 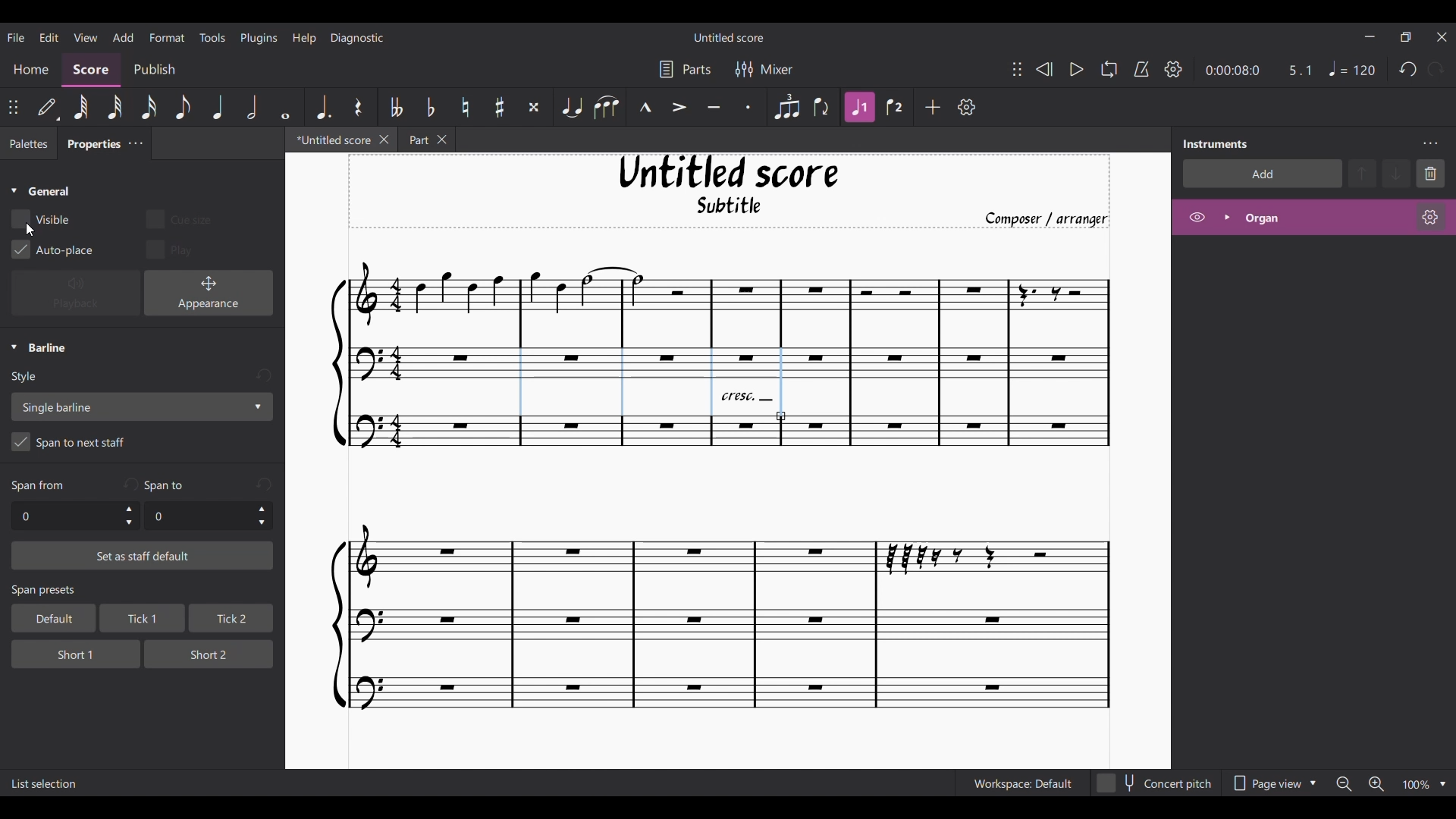 What do you see at coordinates (80, 108) in the screenshot?
I see `64th note` at bounding box center [80, 108].